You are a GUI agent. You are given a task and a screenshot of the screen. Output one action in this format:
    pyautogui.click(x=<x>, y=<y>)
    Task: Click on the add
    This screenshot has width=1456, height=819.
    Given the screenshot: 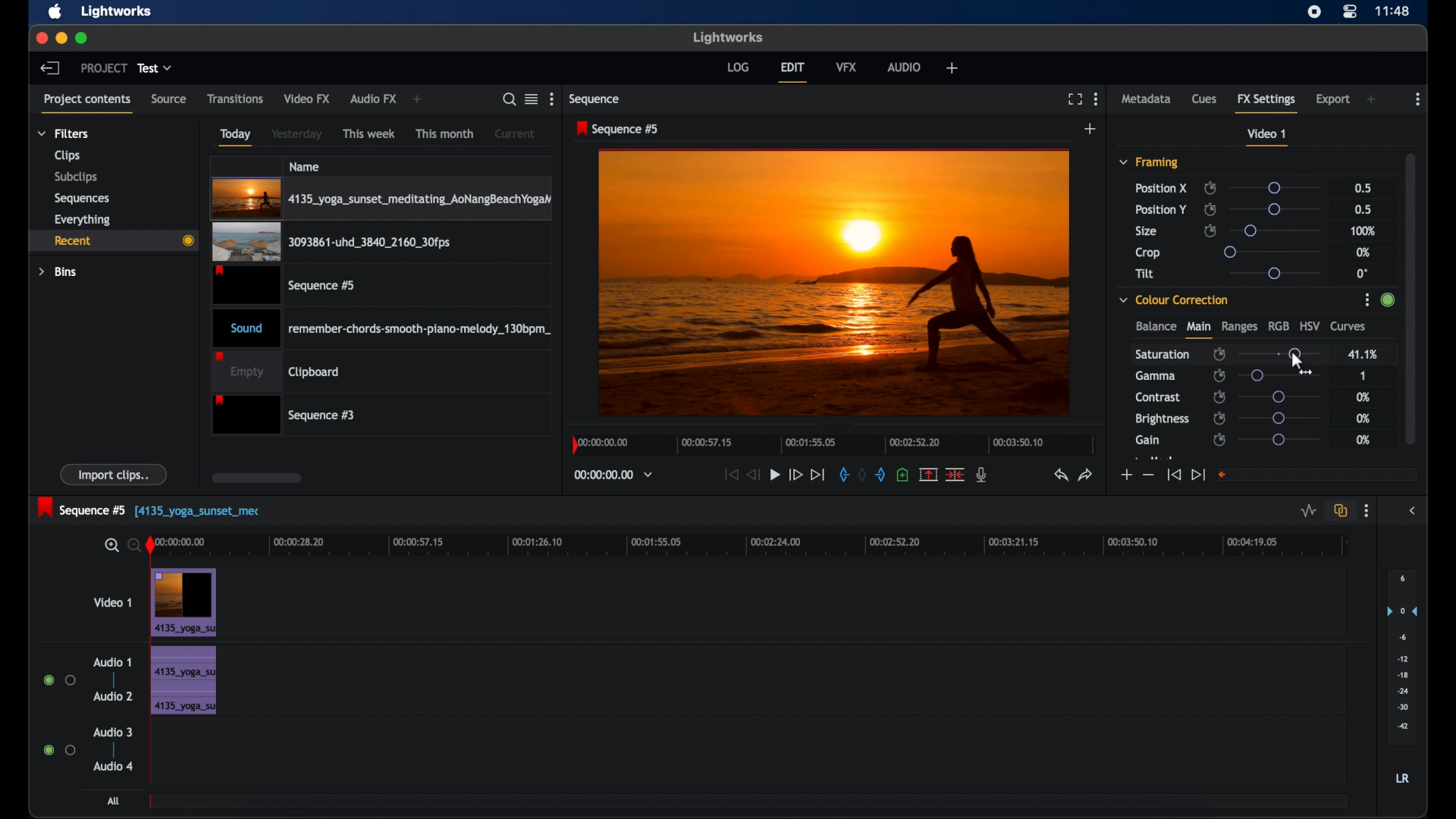 What is the action you would take?
    pyautogui.click(x=1373, y=99)
    